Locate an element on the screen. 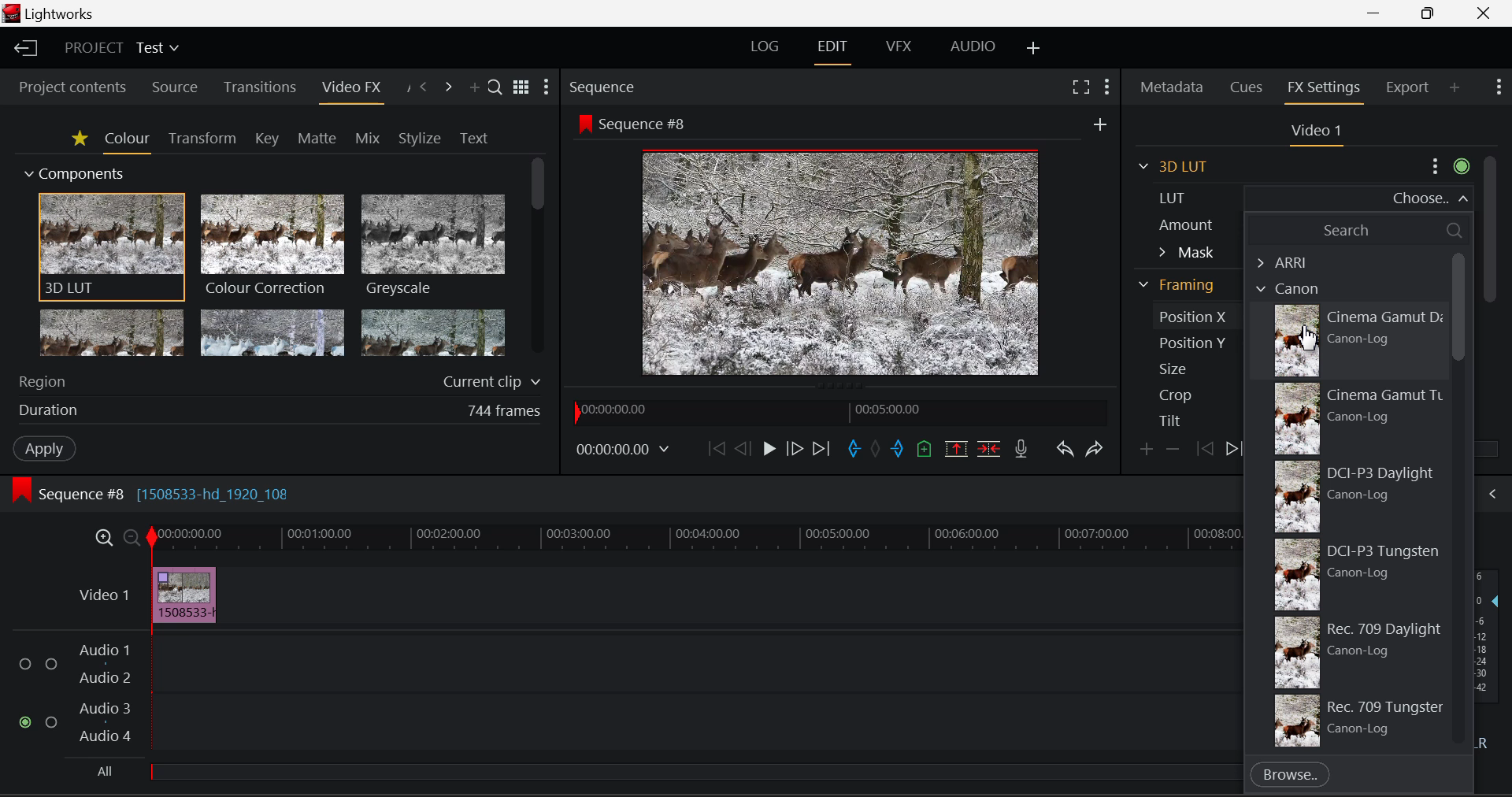 This screenshot has width=1512, height=797. DCI-P3 Tungsten is located at coordinates (1343, 576).